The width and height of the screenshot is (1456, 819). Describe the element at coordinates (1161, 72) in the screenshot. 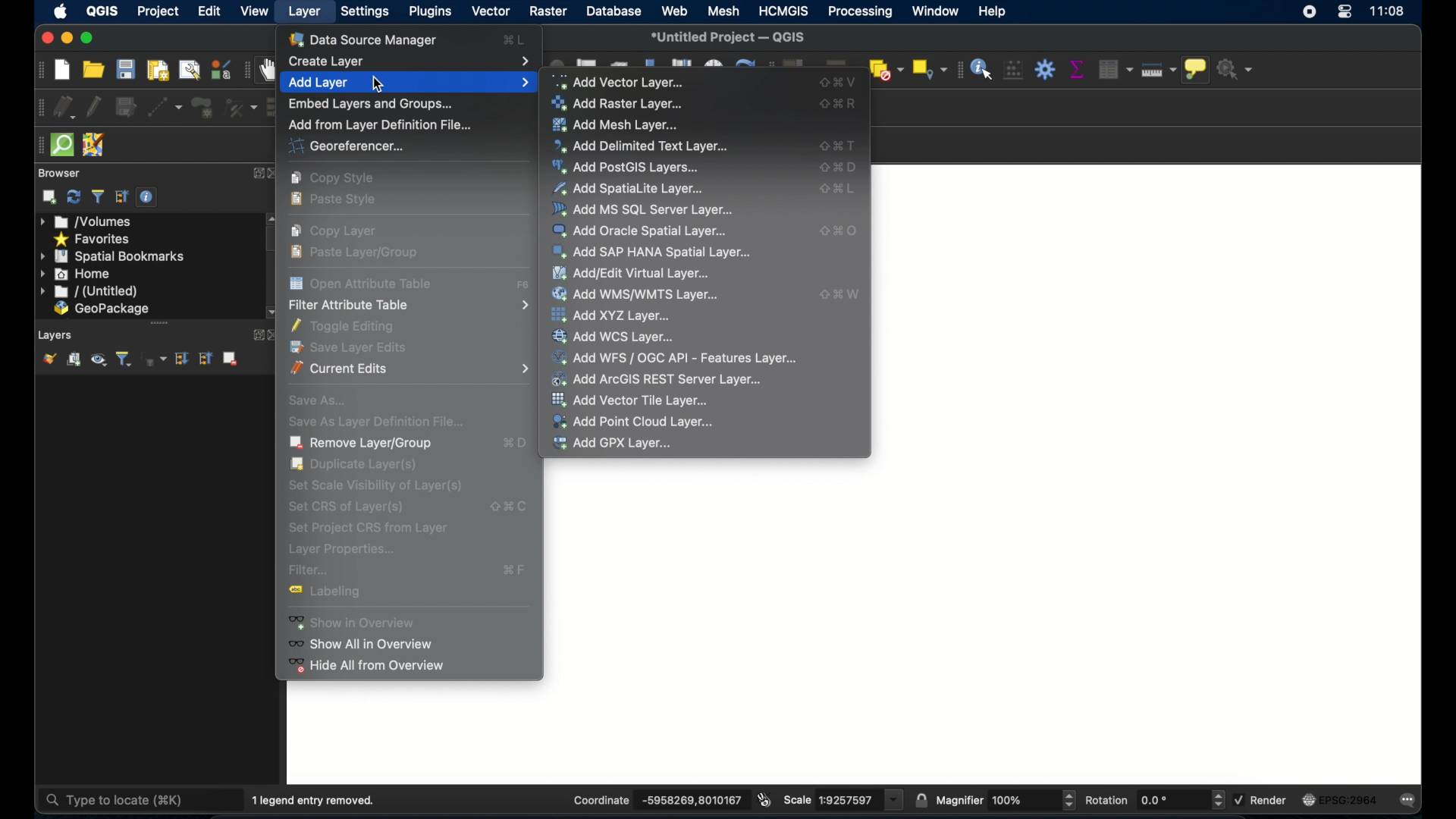

I see `measure line` at that location.